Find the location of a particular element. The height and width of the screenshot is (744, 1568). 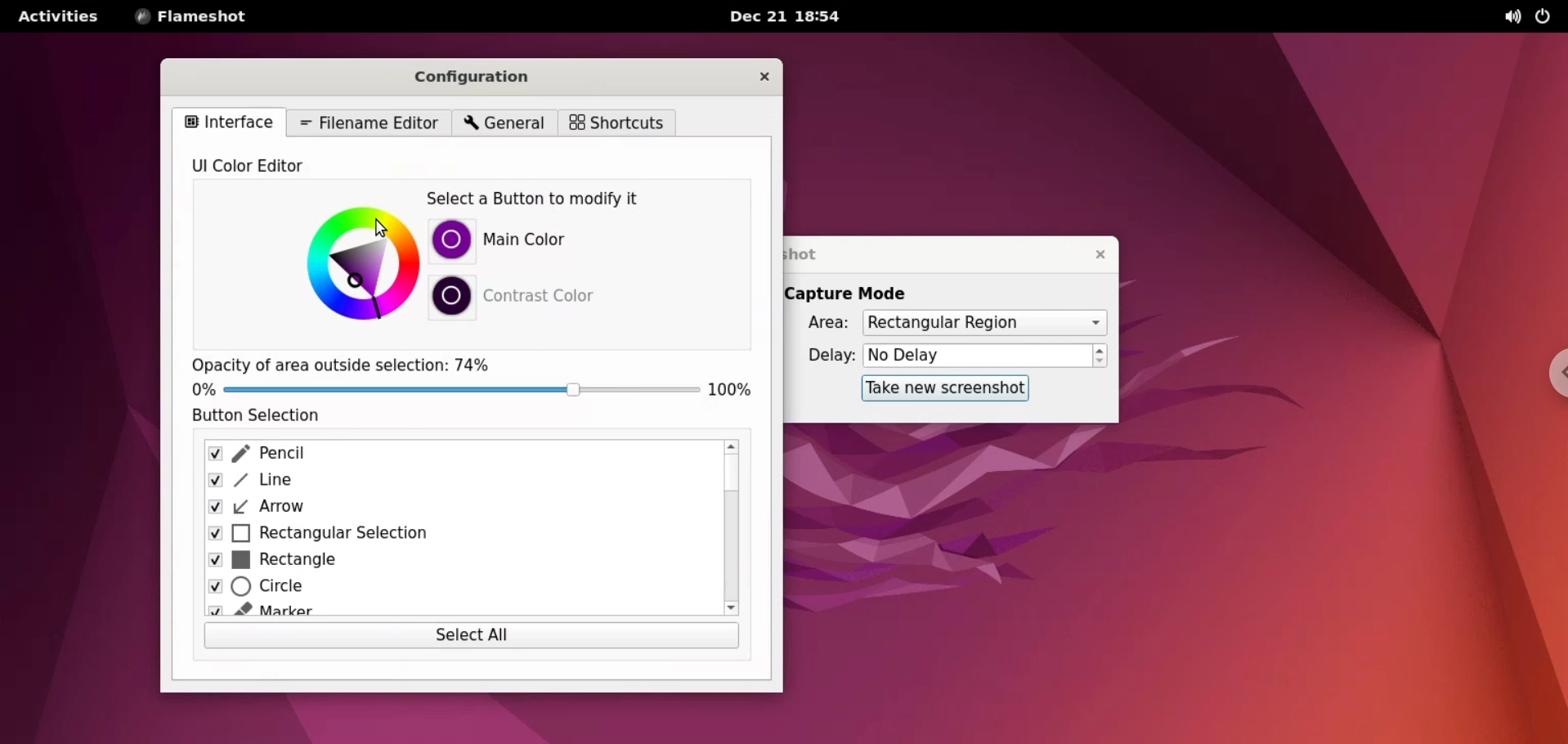

take new screenshot is located at coordinates (943, 388).